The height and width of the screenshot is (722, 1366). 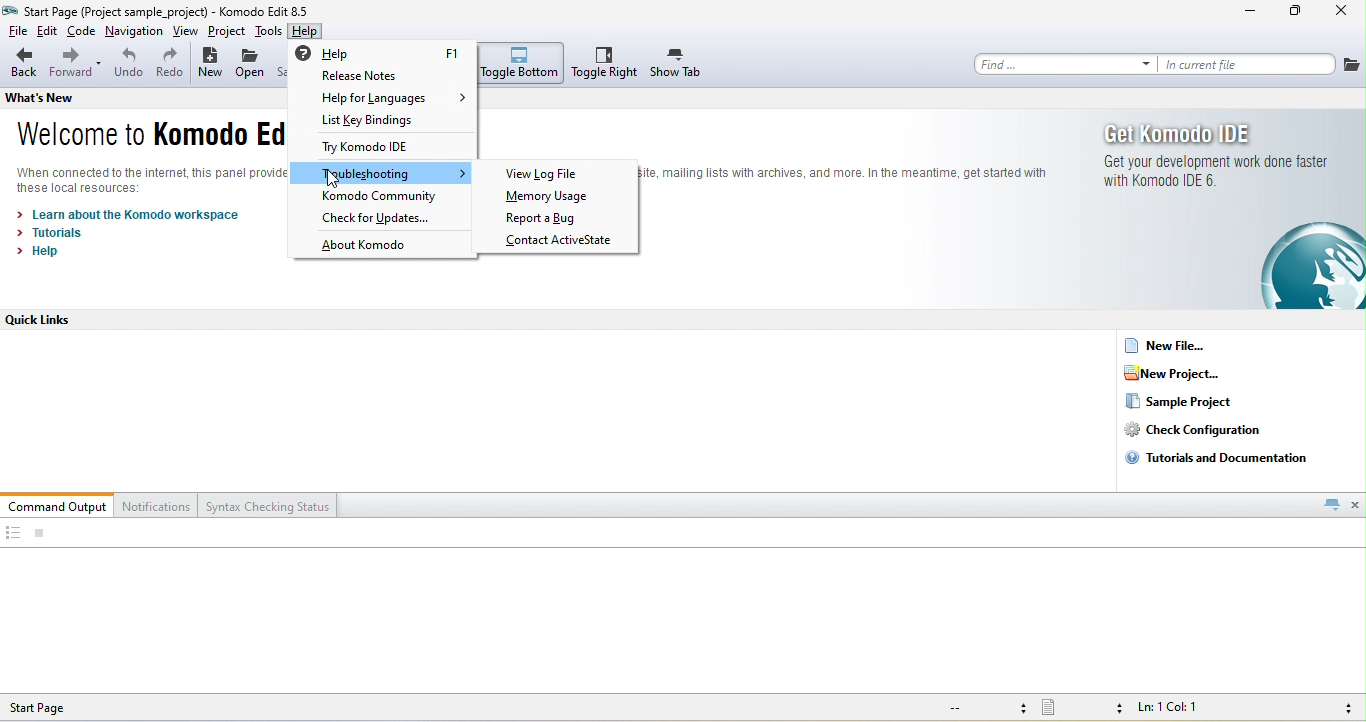 I want to click on file encoding, so click(x=984, y=708).